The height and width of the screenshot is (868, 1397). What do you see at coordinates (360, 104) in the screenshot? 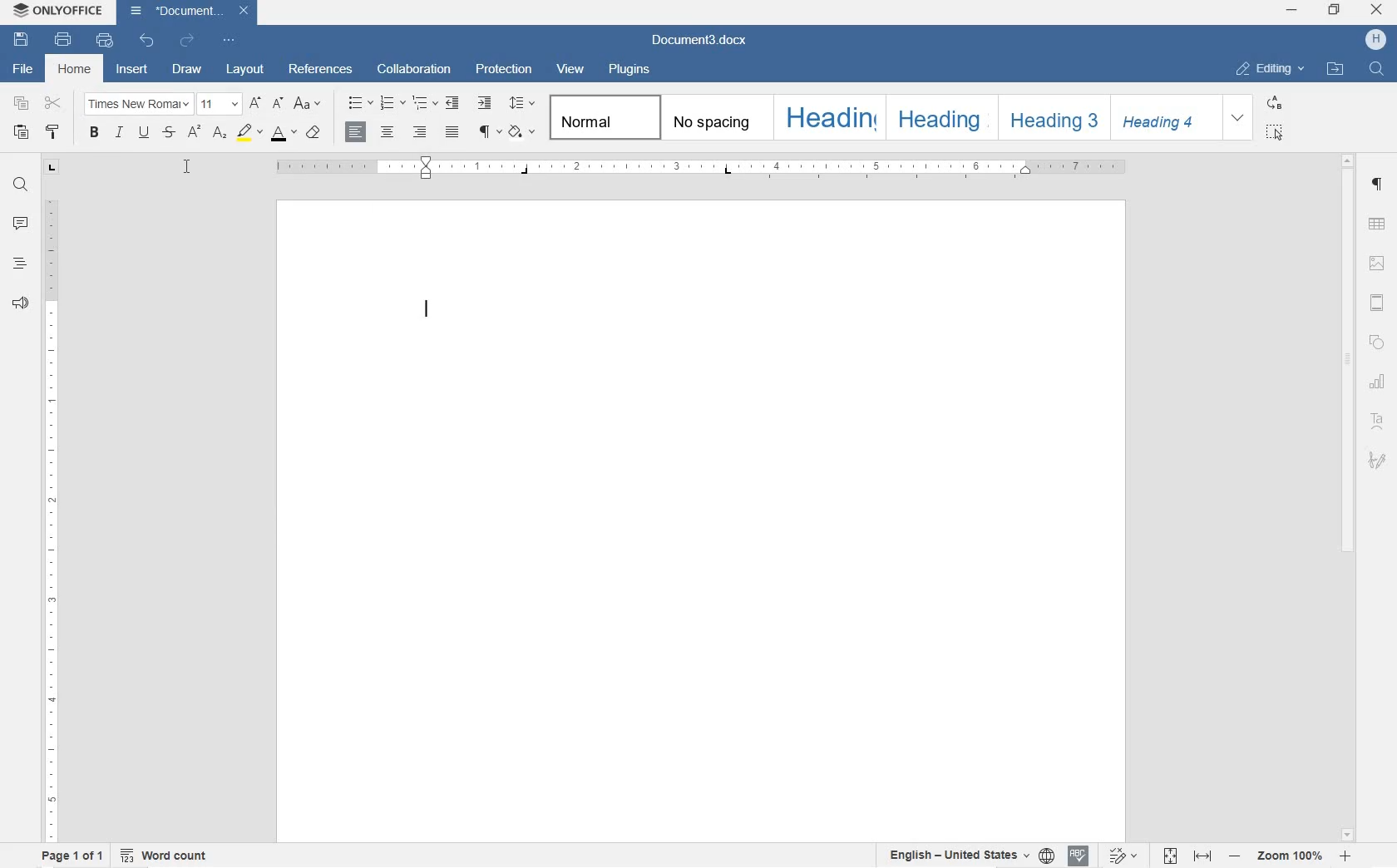
I see `BULLETS` at bounding box center [360, 104].